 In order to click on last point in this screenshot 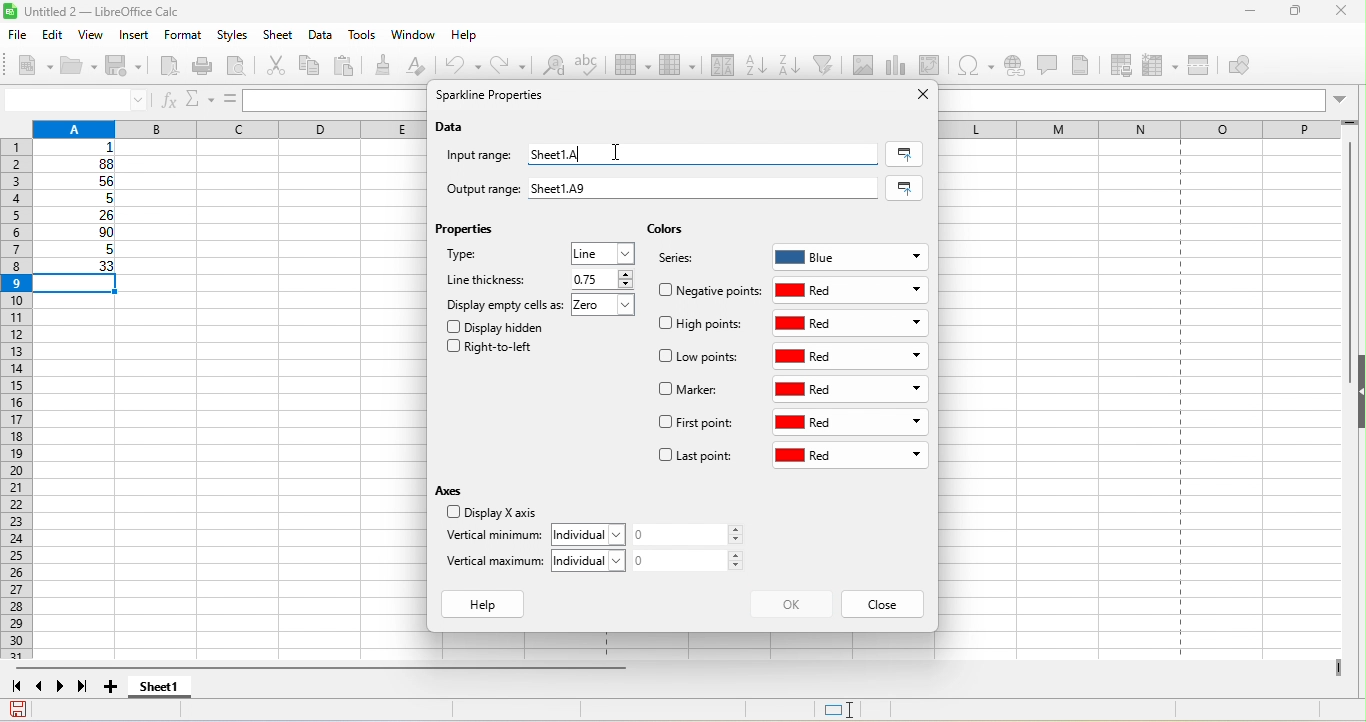, I will do `click(695, 458)`.